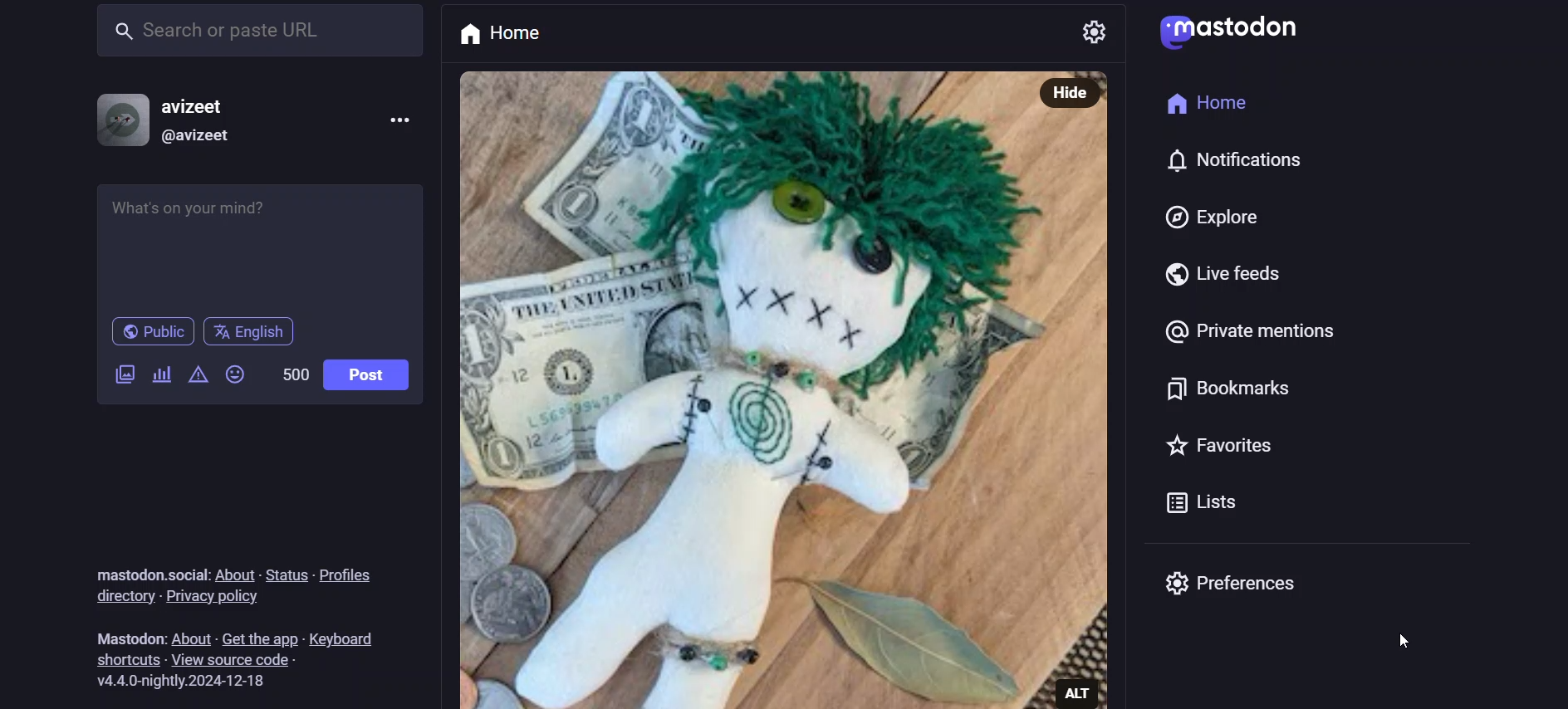 This screenshot has width=1568, height=709. I want to click on keyboard, so click(354, 639).